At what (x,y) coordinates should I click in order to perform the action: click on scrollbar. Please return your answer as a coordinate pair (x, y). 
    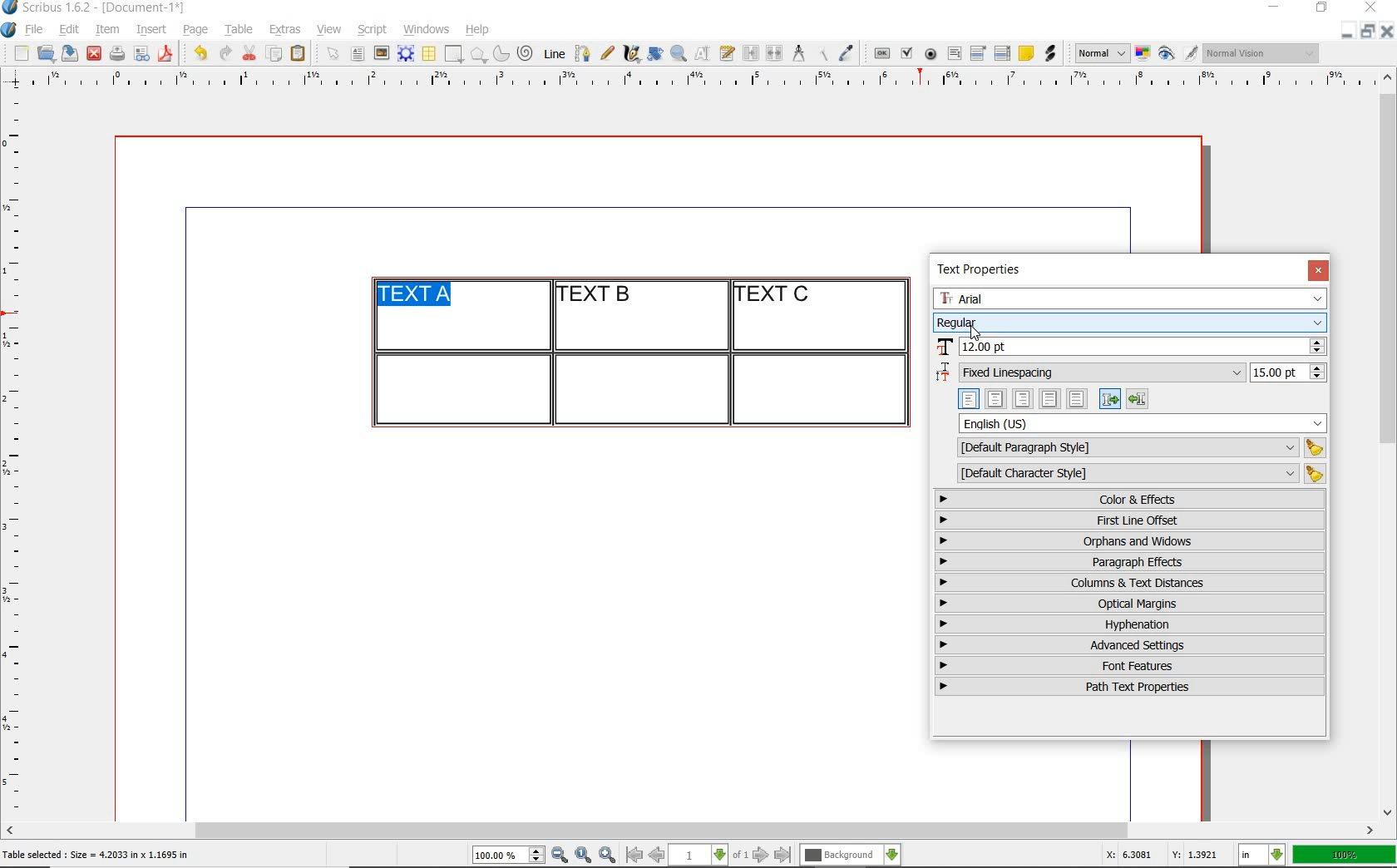
    Looking at the image, I should click on (690, 832).